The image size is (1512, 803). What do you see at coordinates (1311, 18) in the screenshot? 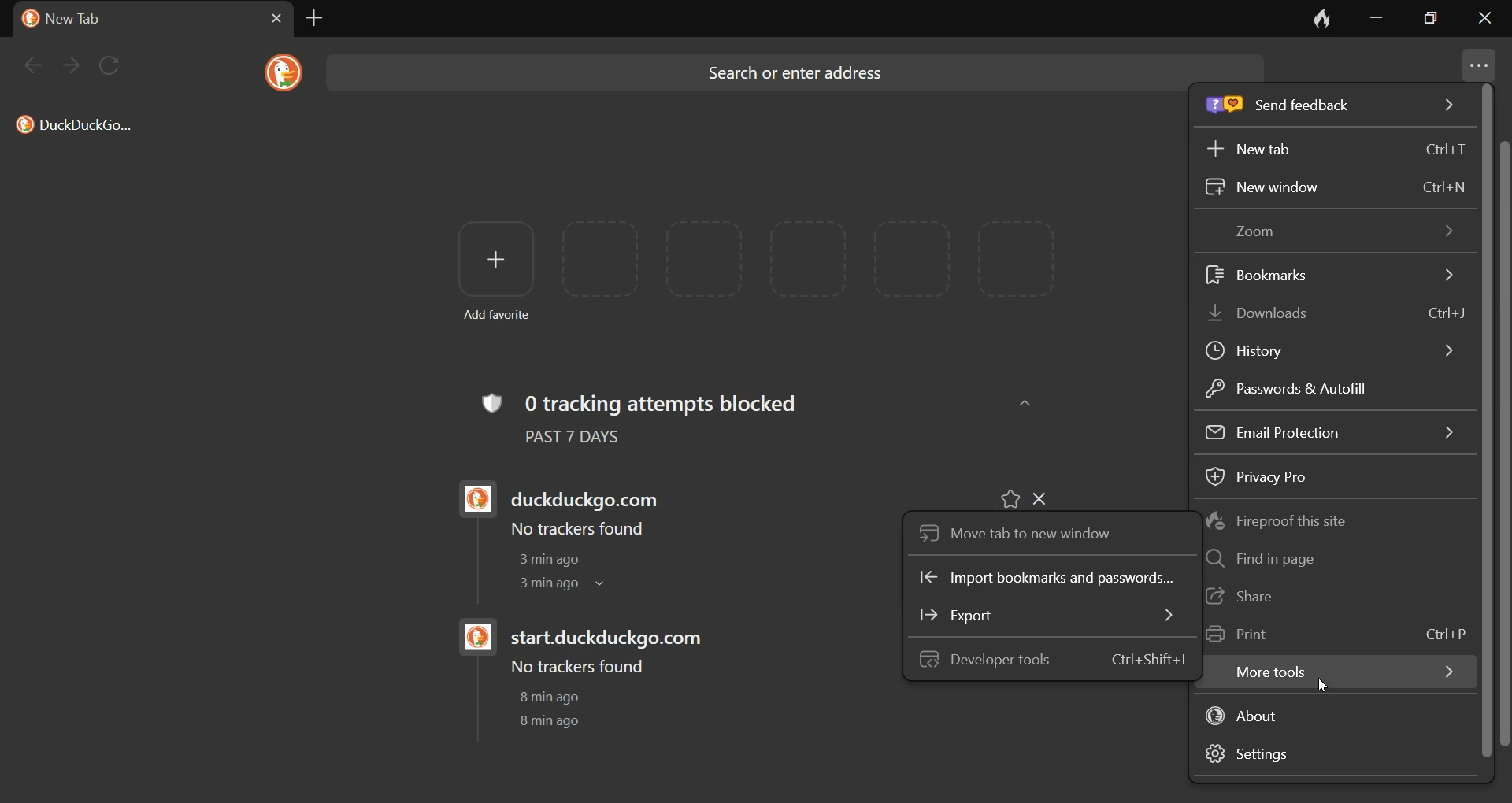
I see `close tab and clear data` at bounding box center [1311, 18].